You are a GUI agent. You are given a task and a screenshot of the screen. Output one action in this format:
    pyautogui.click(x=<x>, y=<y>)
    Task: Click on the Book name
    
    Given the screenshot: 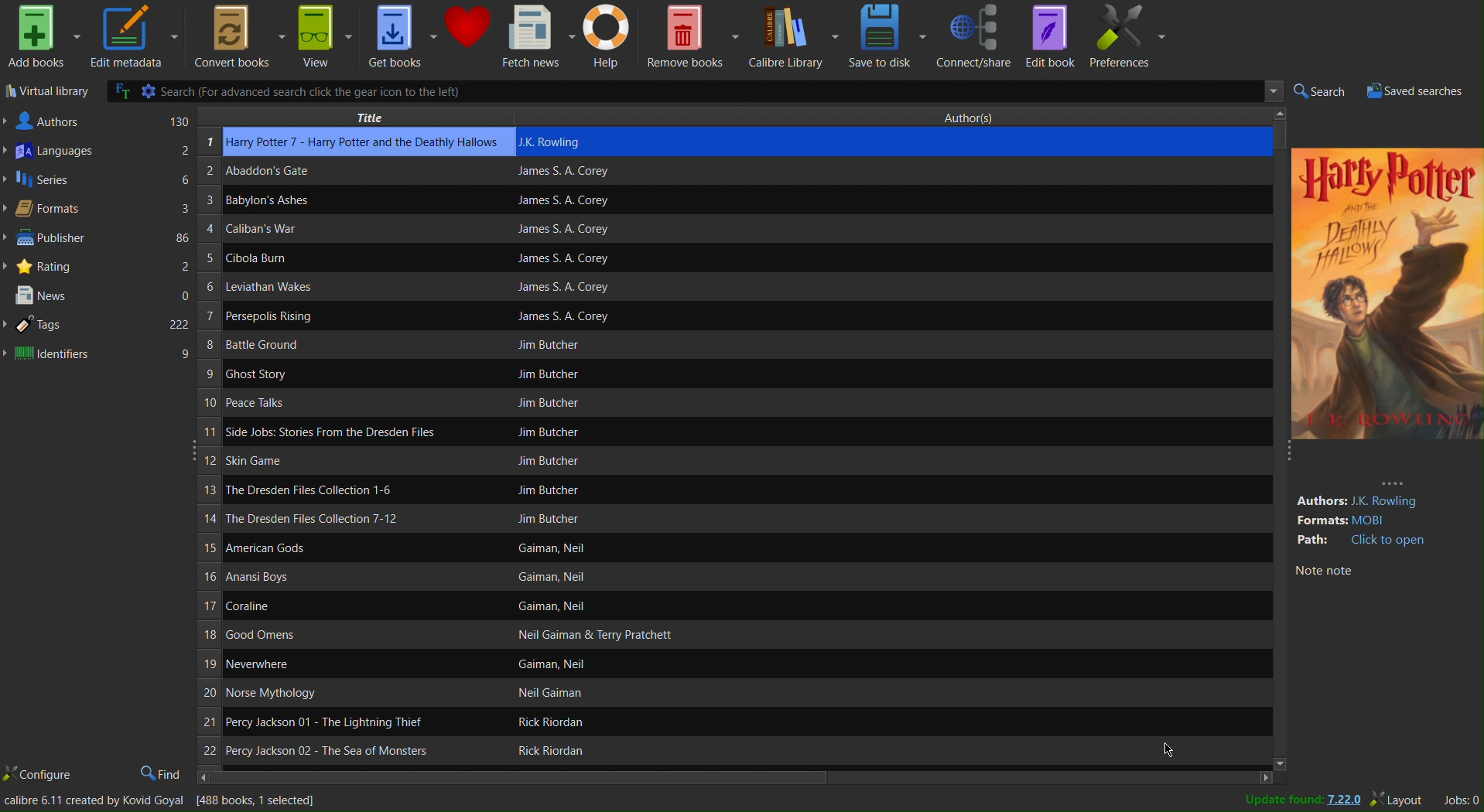 What is the action you would take?
    pyautogui.click(x=274, y=203)
    